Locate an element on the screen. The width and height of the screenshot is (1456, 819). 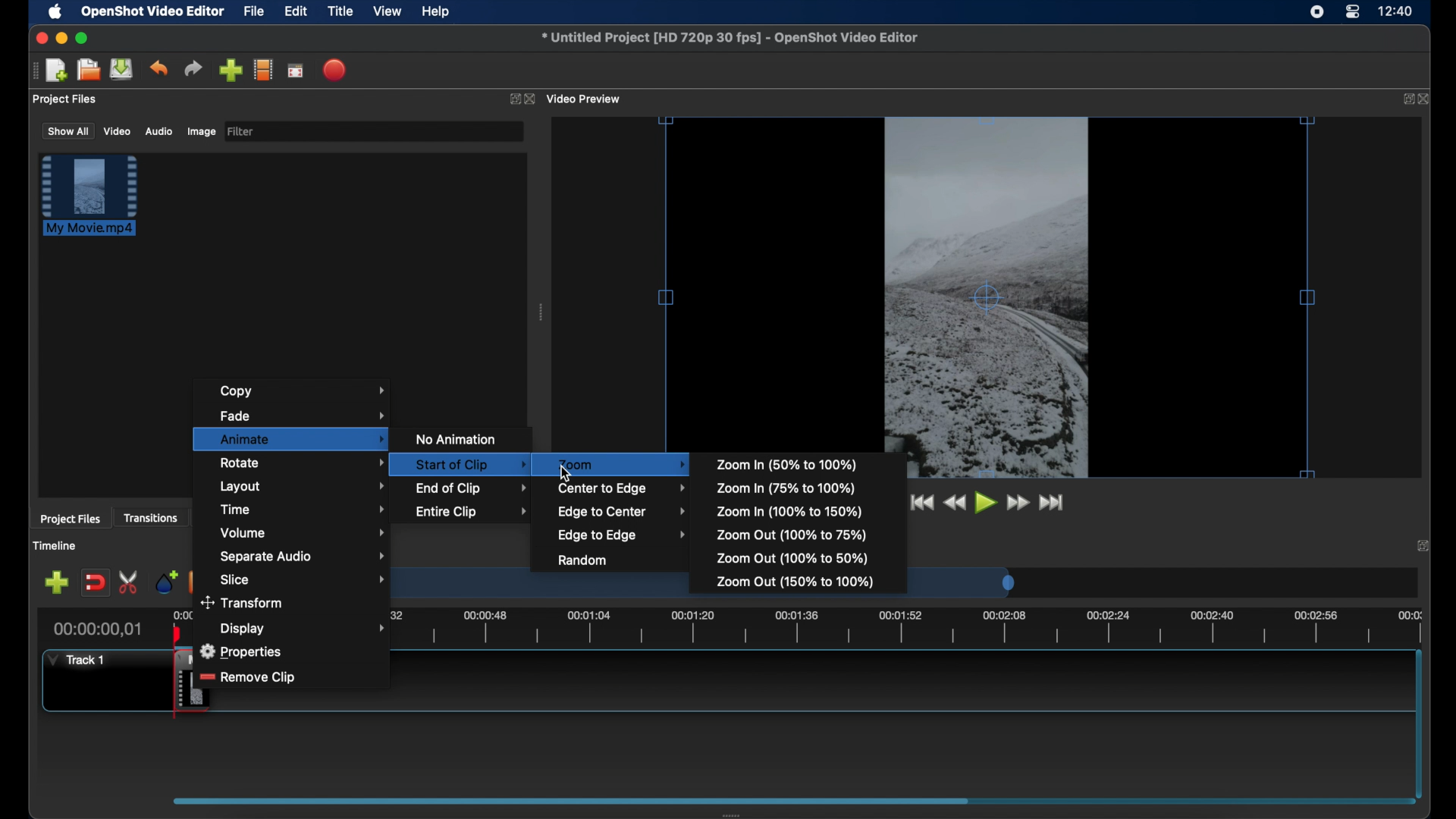
expand is located at coordinates (1423, 546).